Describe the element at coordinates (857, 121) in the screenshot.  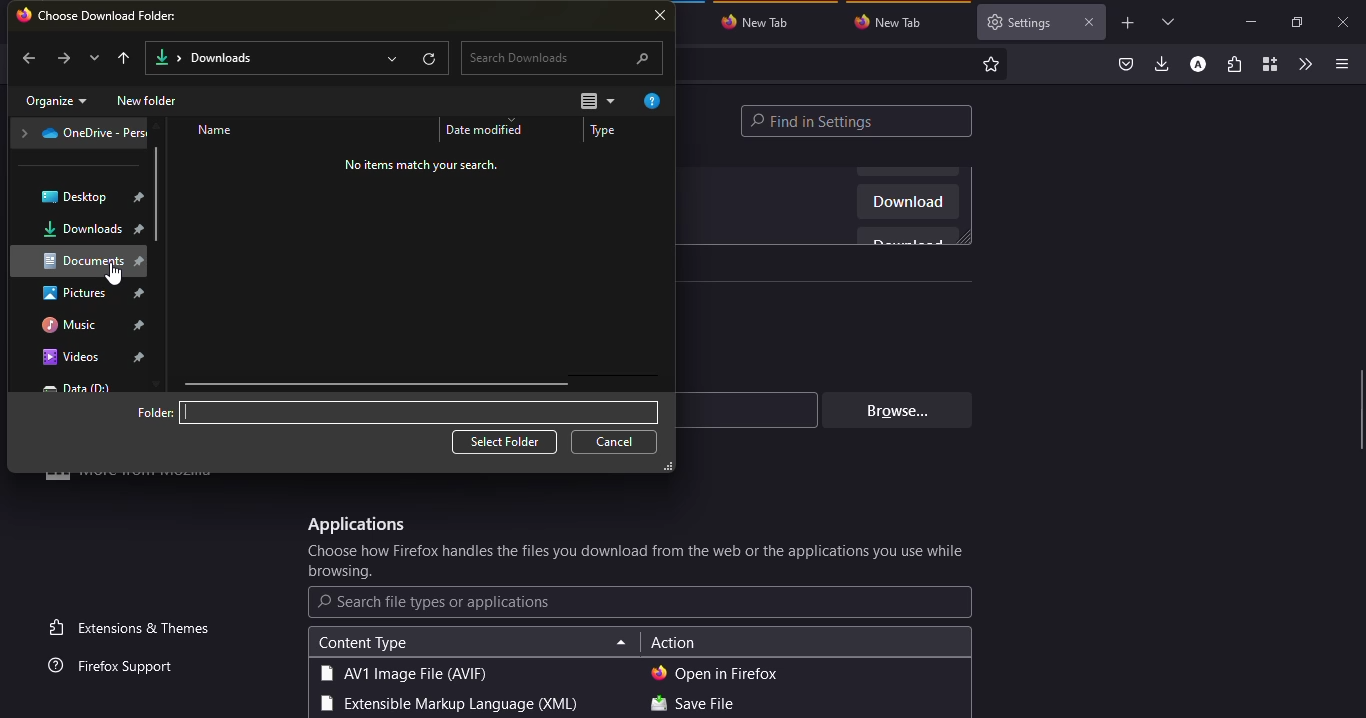
I see `find` at that location.